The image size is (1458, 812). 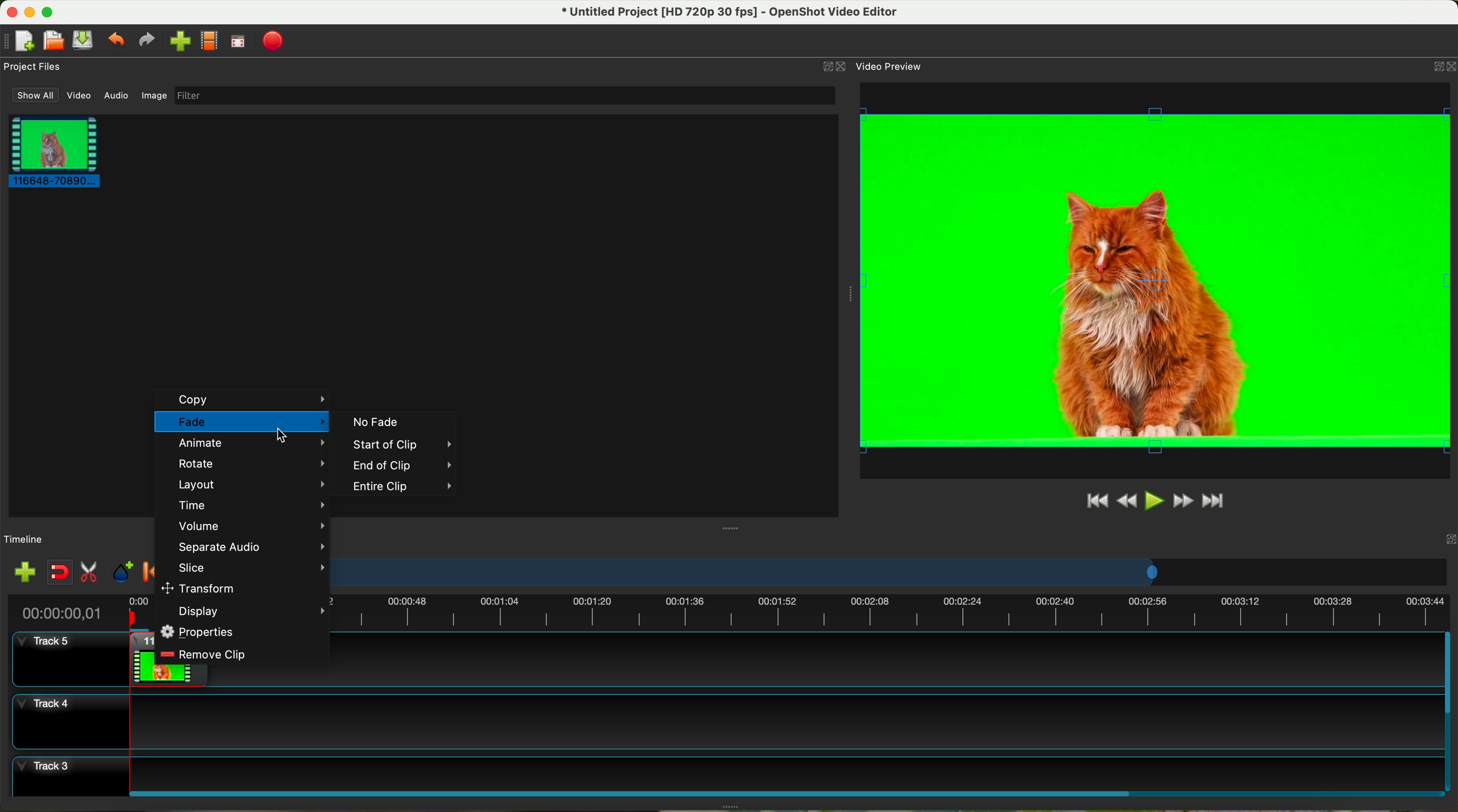 I want to click on full screen, so click(x=238, y=41).